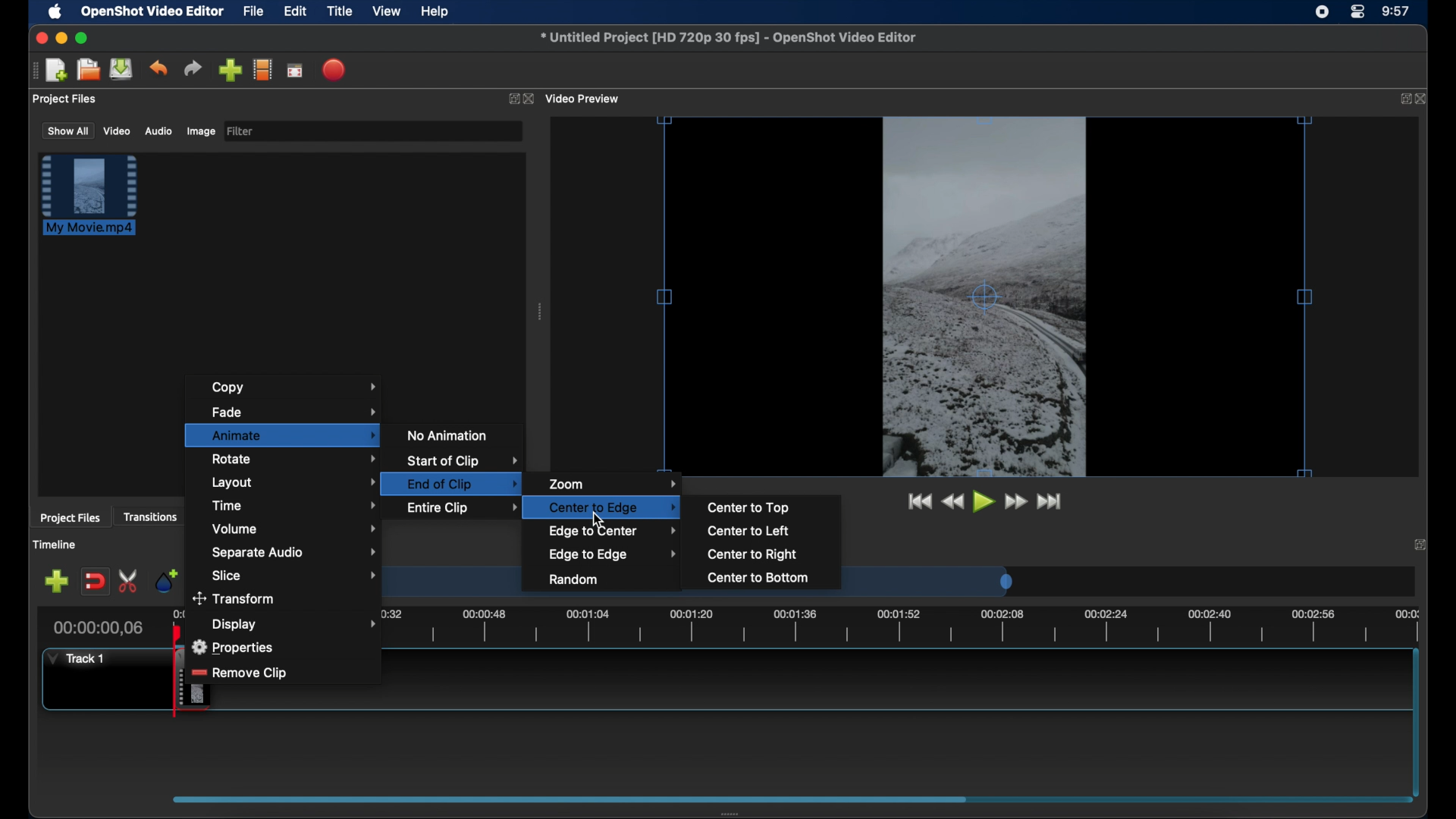 The image size is (1456, 819). What do you see at coordinates (262, 69) in the screenshot?
I see `explore profiles` at bounding box center [262, 69].